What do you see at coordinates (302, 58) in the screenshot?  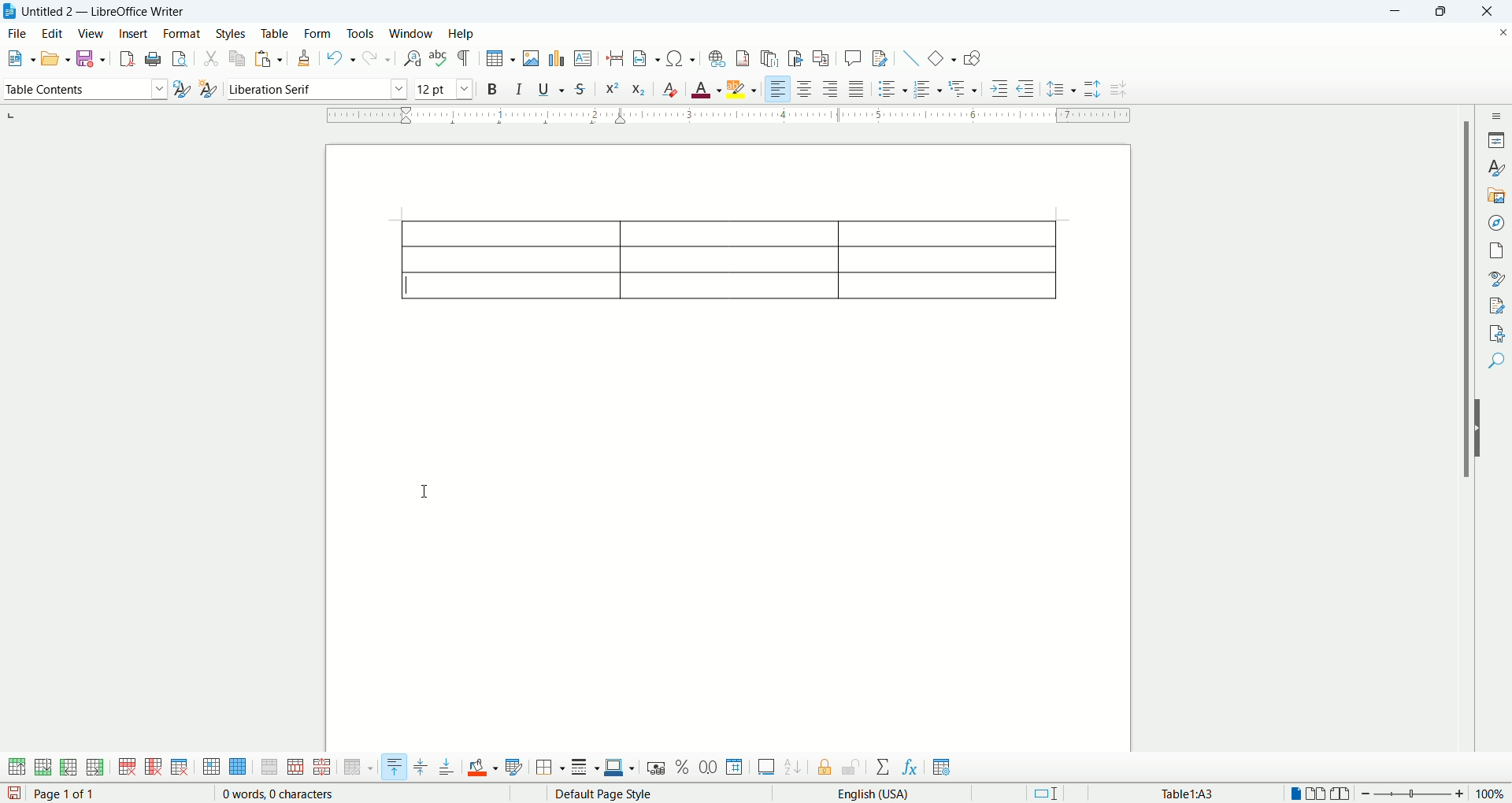 I see `clone formatting` at bounding box center [302, 58].